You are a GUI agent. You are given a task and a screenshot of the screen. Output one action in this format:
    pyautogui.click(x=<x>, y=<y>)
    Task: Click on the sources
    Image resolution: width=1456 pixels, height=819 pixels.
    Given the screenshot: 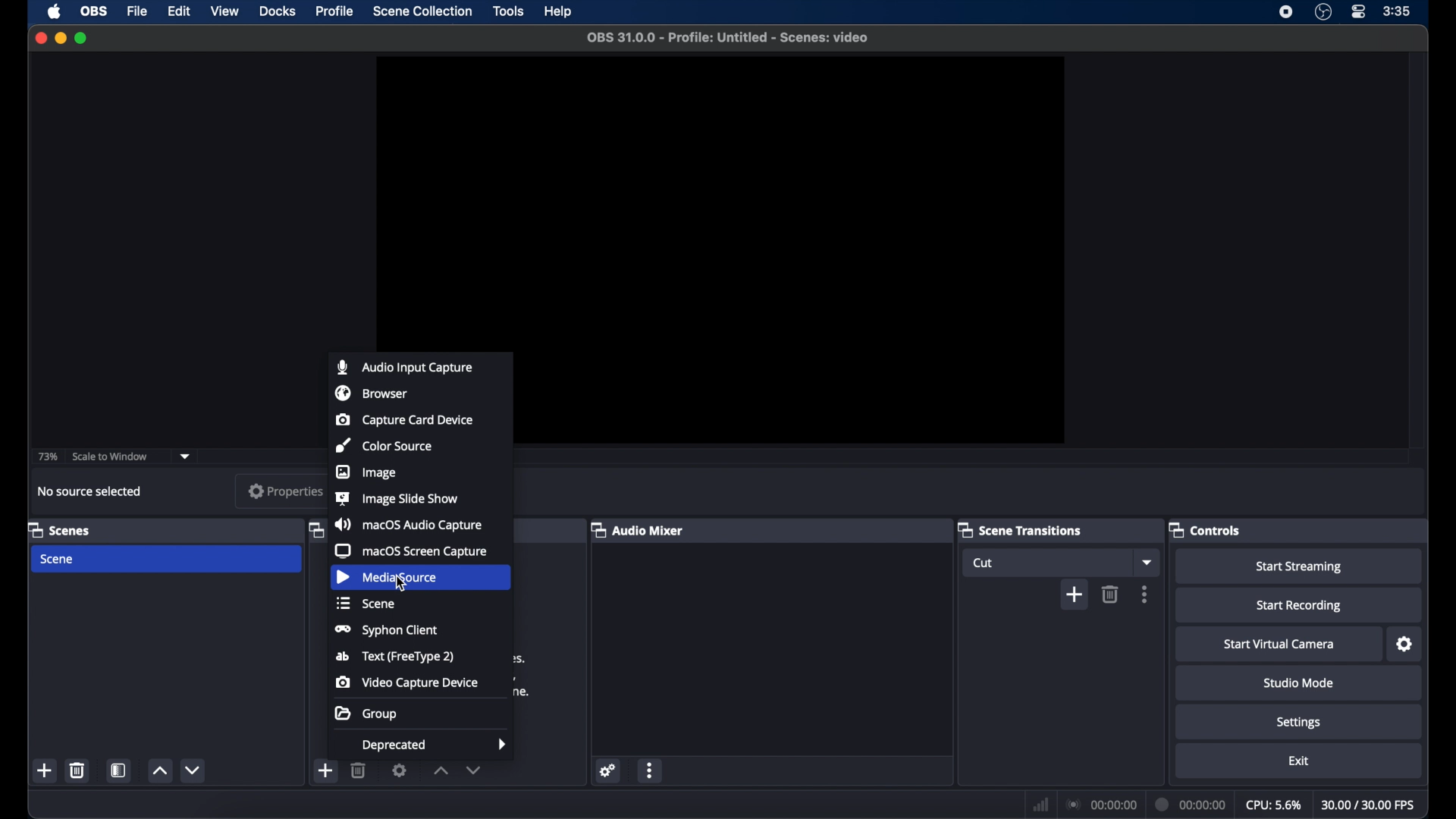 What is the action you would take?
    pyautogui.click(x=314, y=529)
    